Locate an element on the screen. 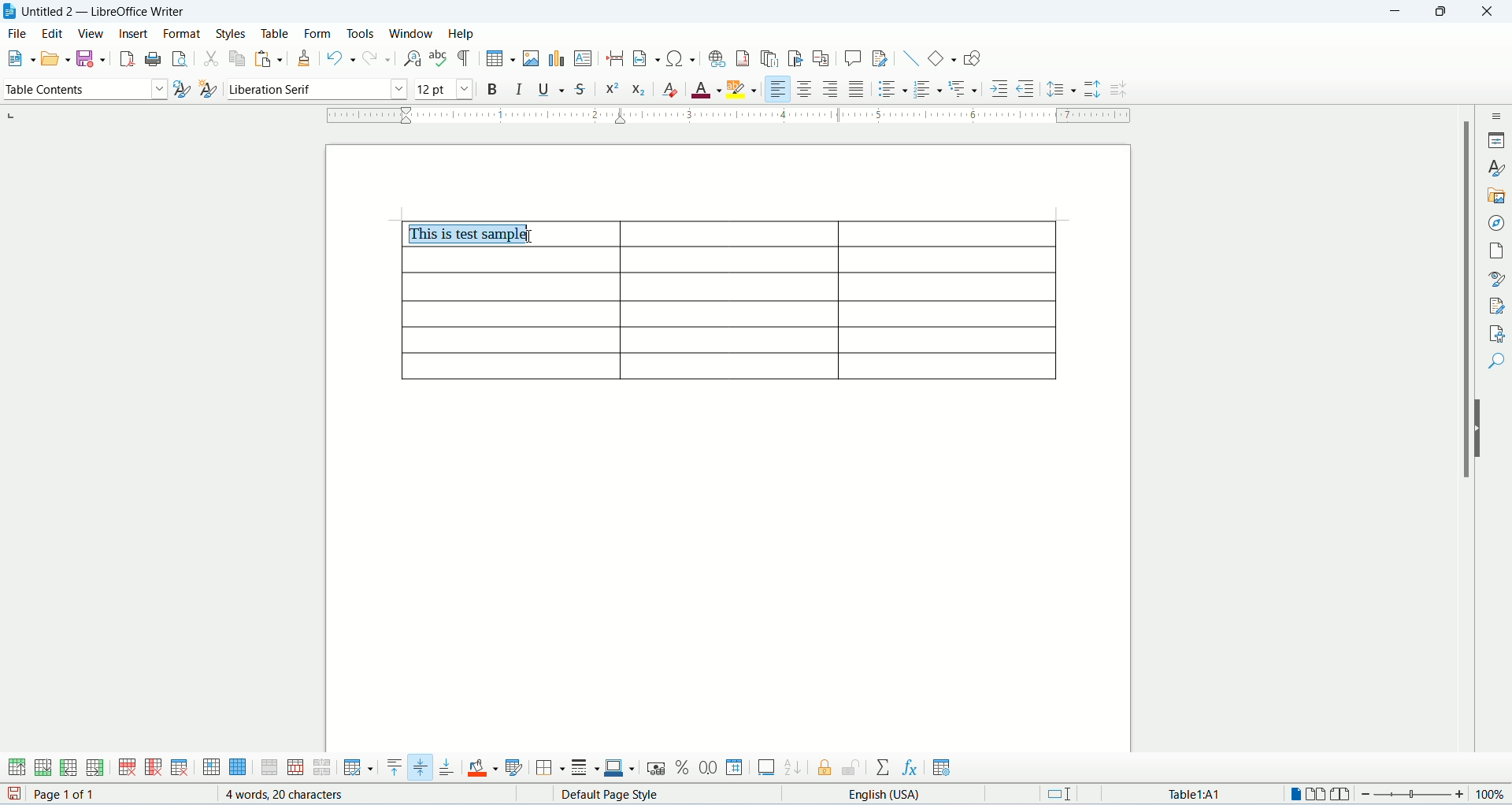  new style is located at coordinates (209, 89).